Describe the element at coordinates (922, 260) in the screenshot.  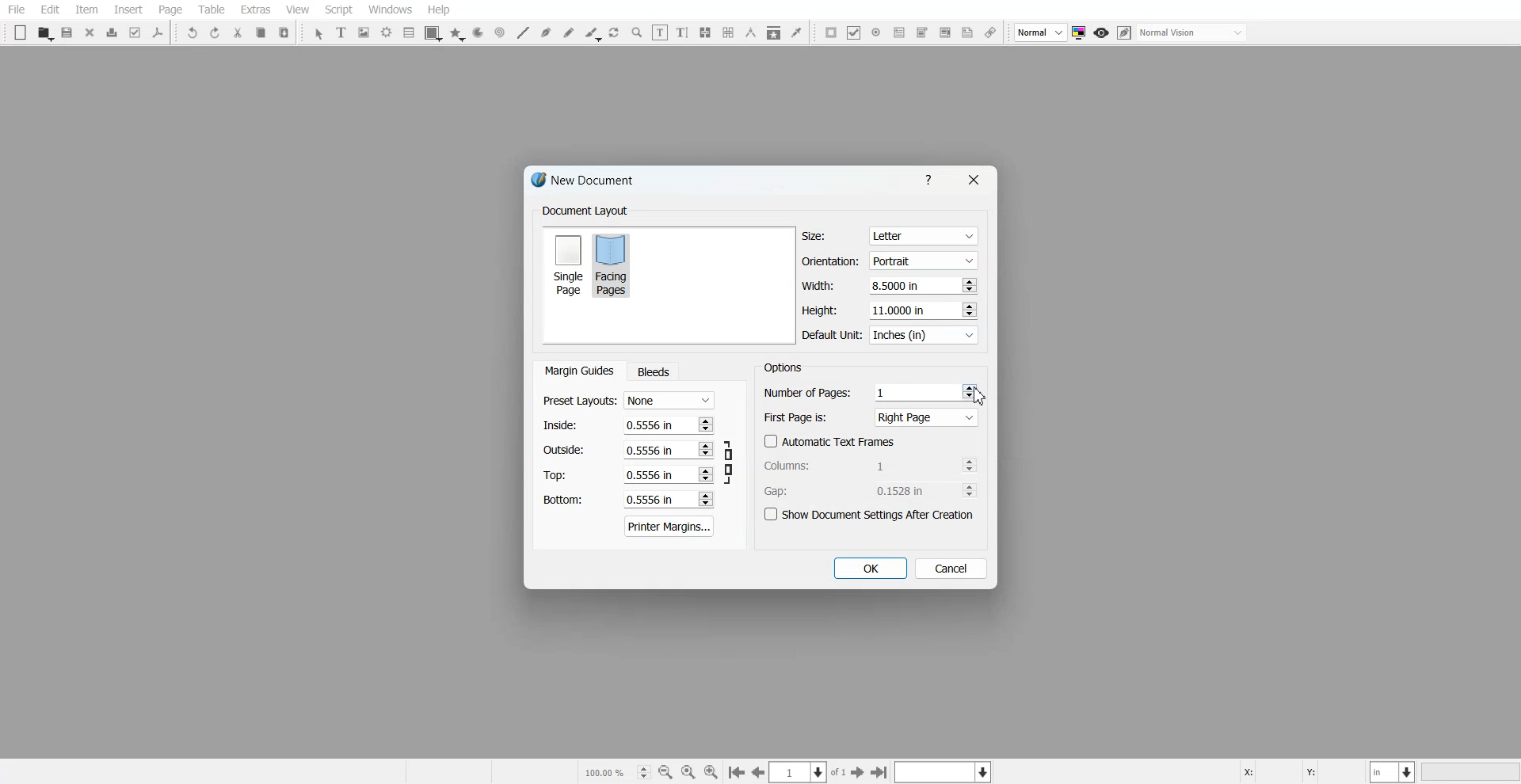
I see `Portrait` at that location.